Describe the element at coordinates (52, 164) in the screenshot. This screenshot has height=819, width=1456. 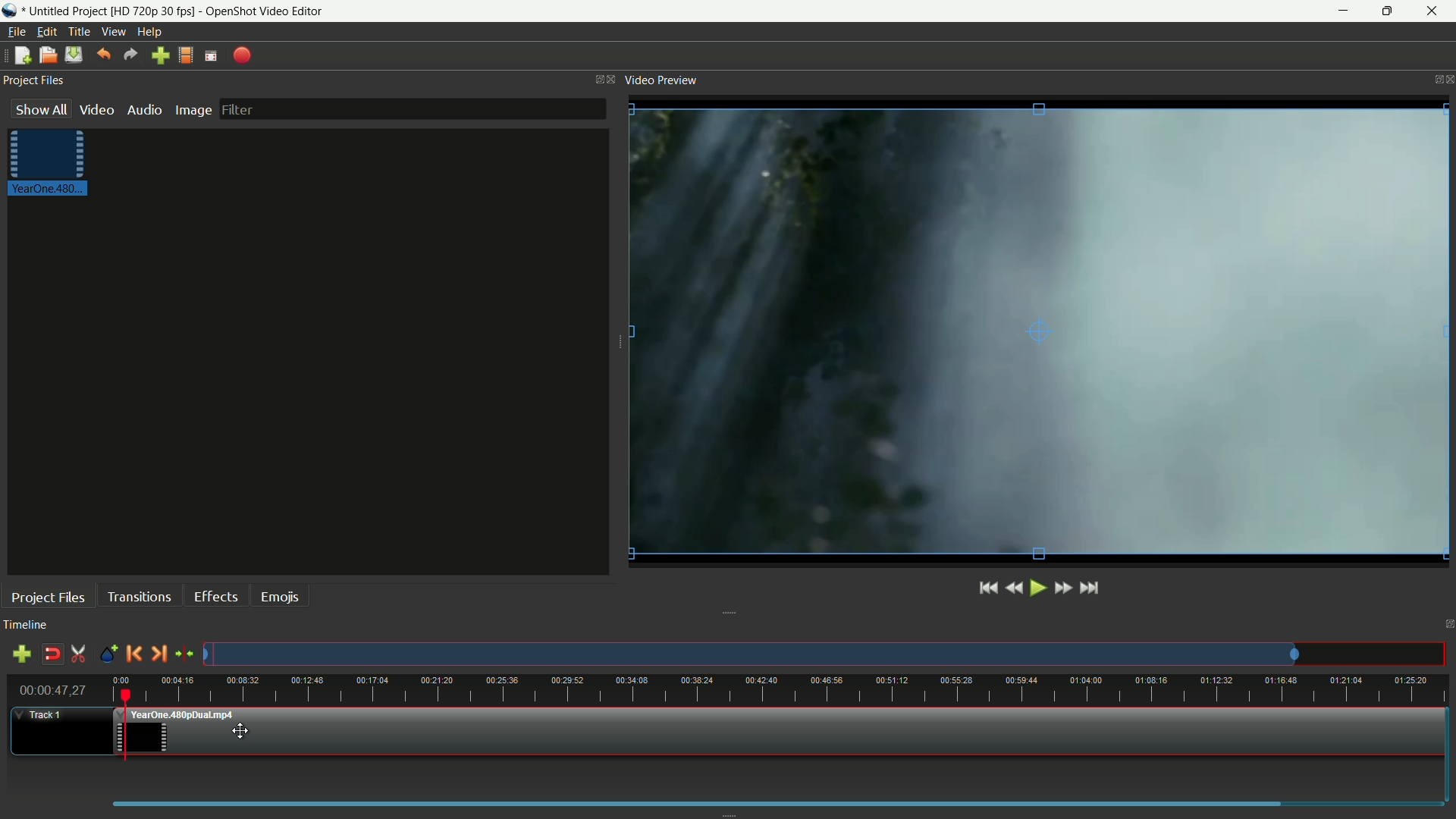
I see `project file` at that location.